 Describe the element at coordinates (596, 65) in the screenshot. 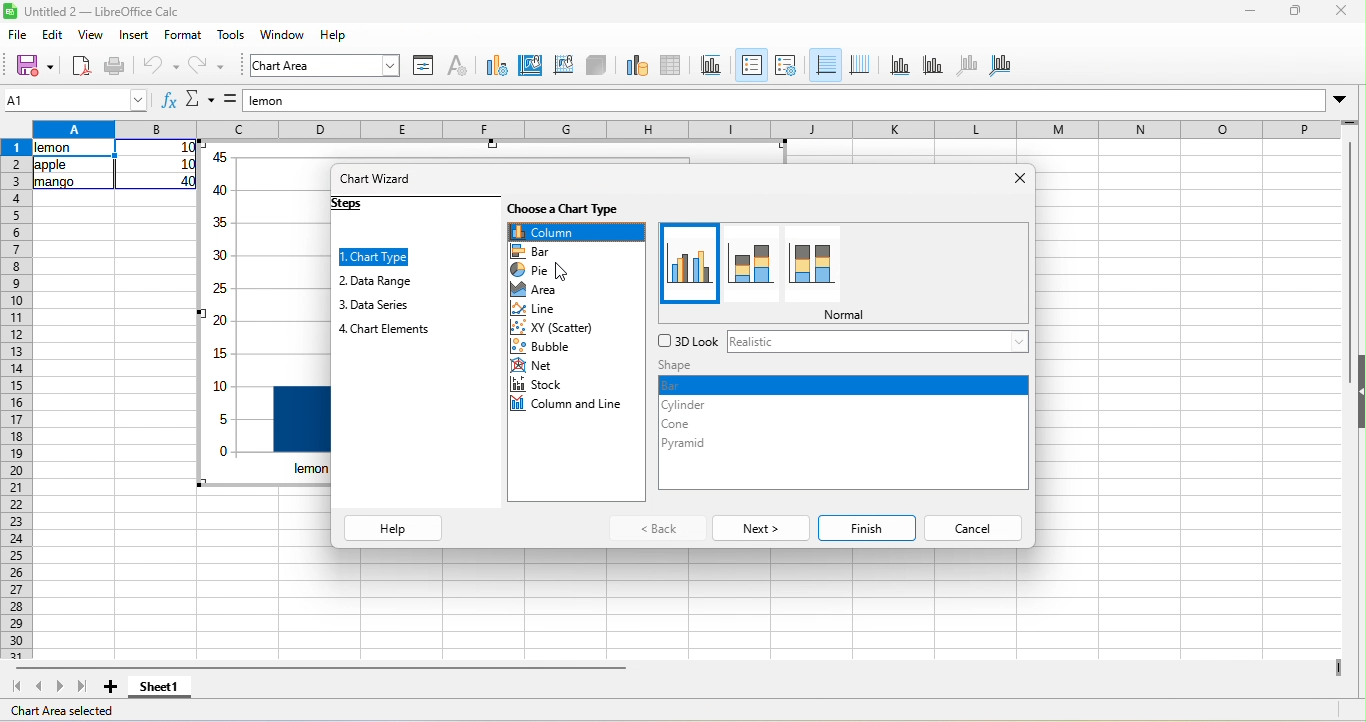

I see `3d view` at that location.